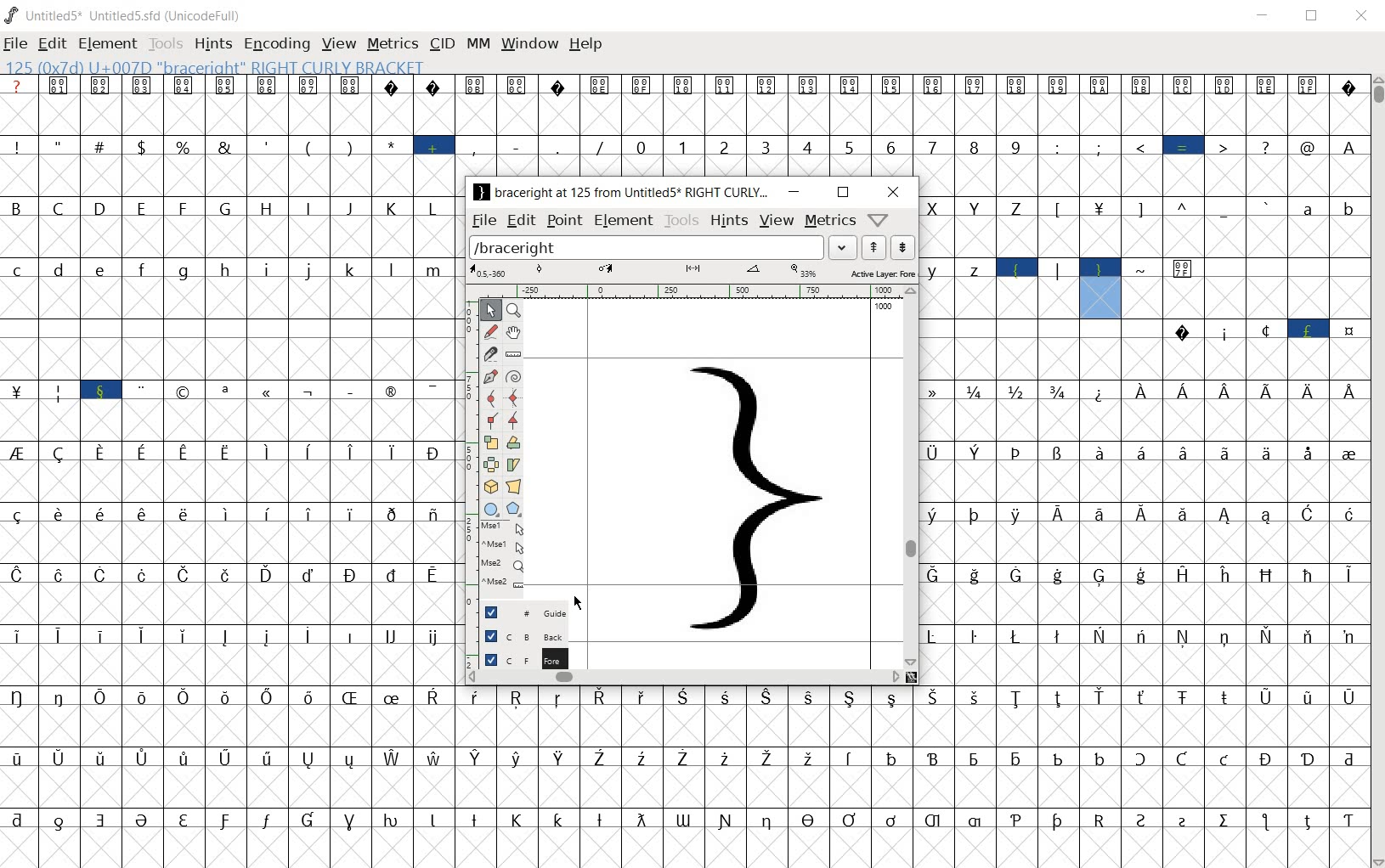 This screenshot has height=868, width=1385. What do you see at coordinates (776, 222) in the screenshot?
I see `view` at bounding box center [776, 222].